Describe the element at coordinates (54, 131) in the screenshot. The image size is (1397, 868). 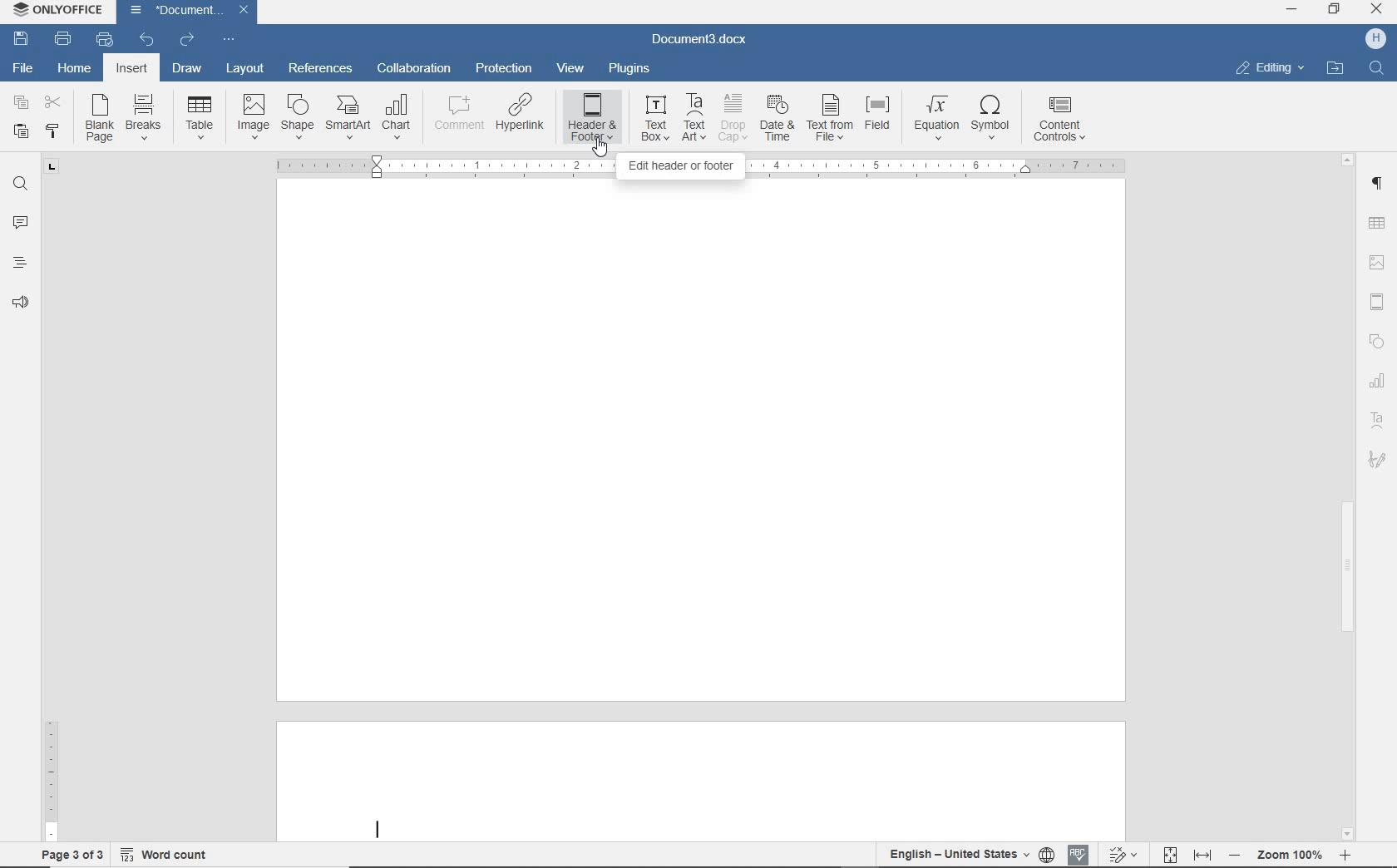
I see `COPY STYLE` at that location.